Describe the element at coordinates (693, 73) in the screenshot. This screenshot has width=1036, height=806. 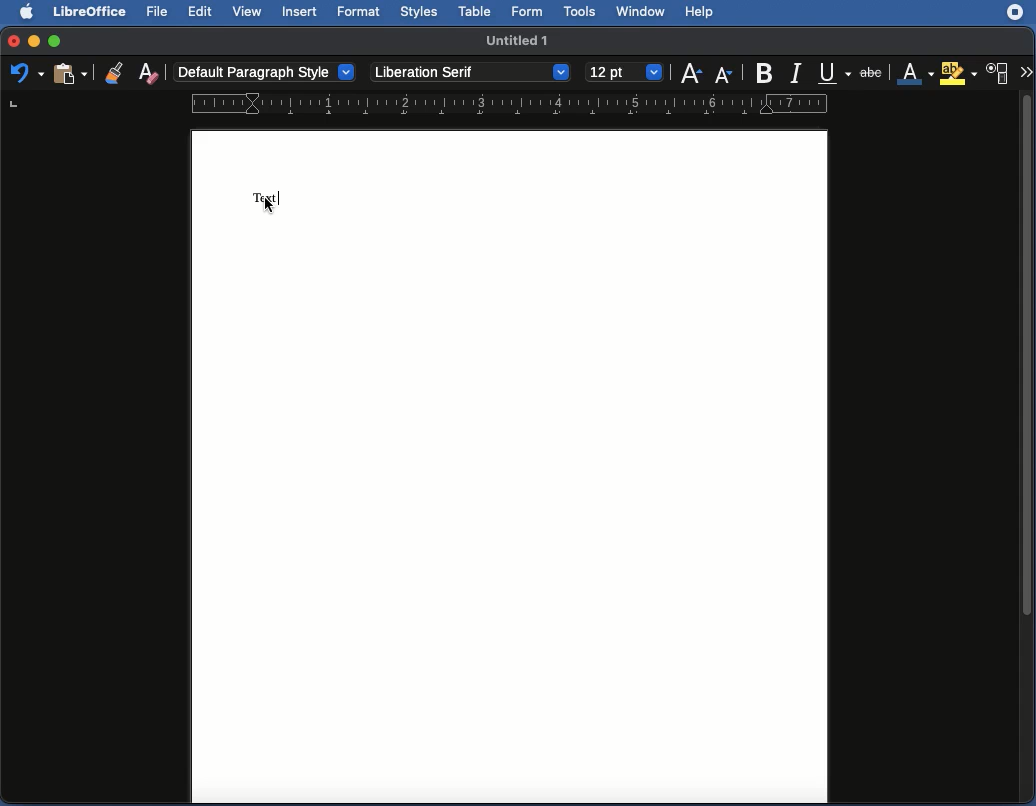
I see `Size increase` at that location.